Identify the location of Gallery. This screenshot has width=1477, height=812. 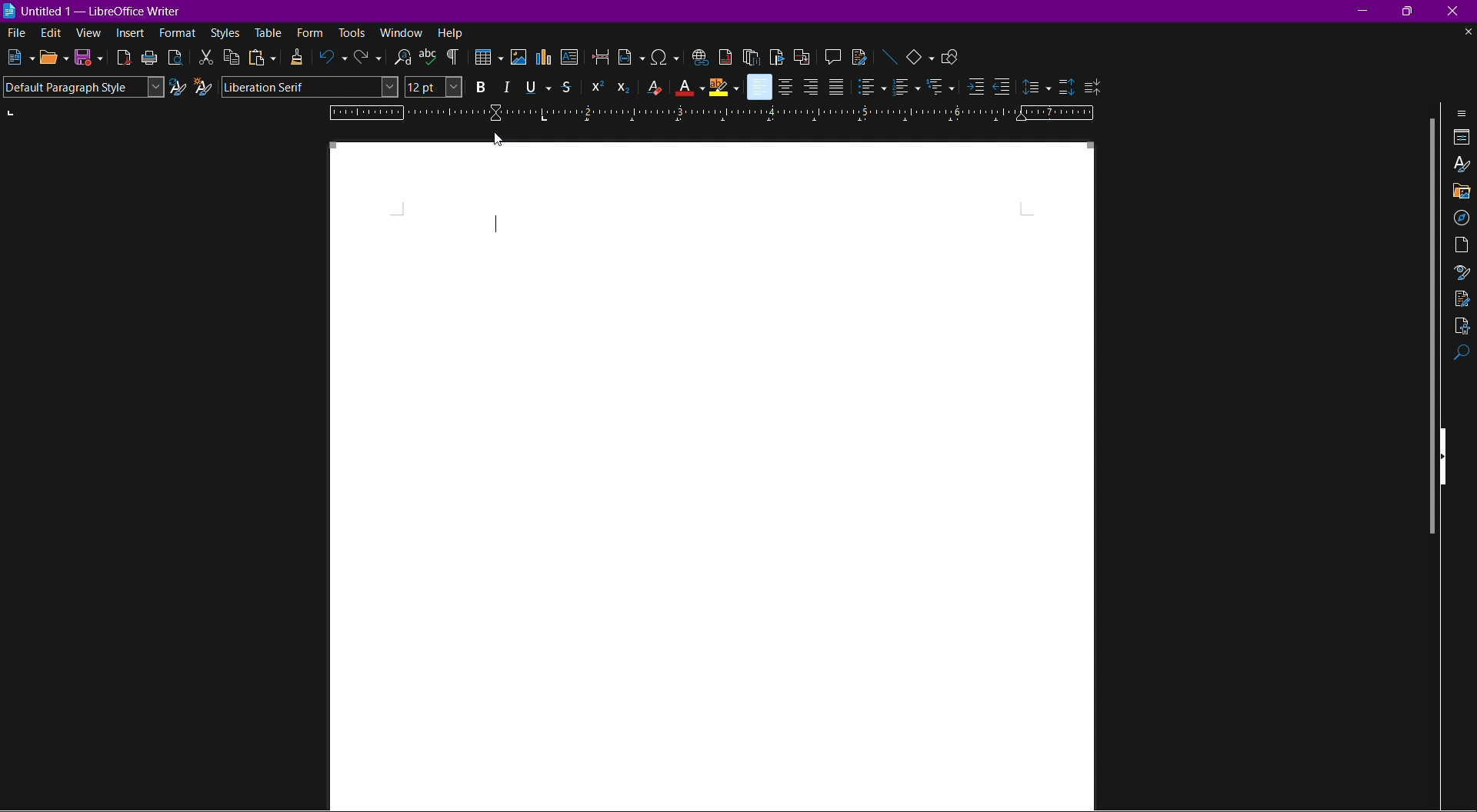
(1462, 191).